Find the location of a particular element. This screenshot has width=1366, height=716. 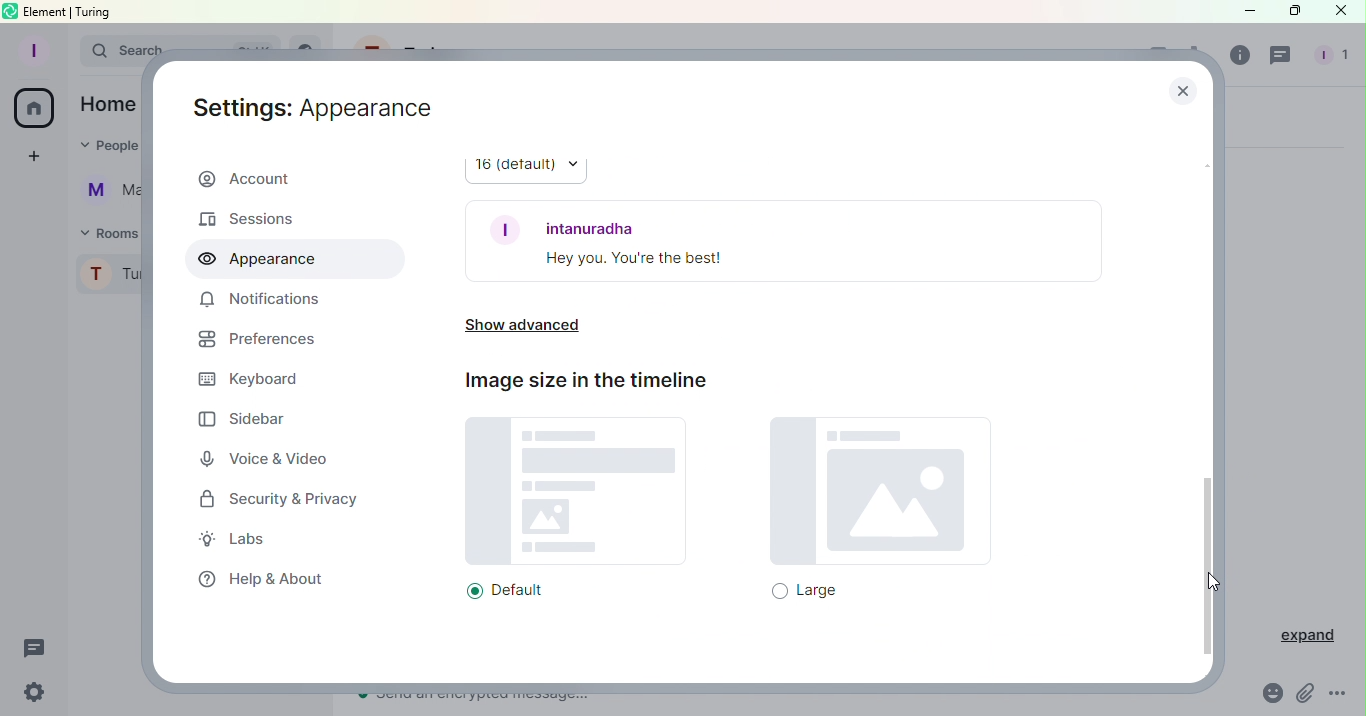

Search is located at coordinates (112, 53).